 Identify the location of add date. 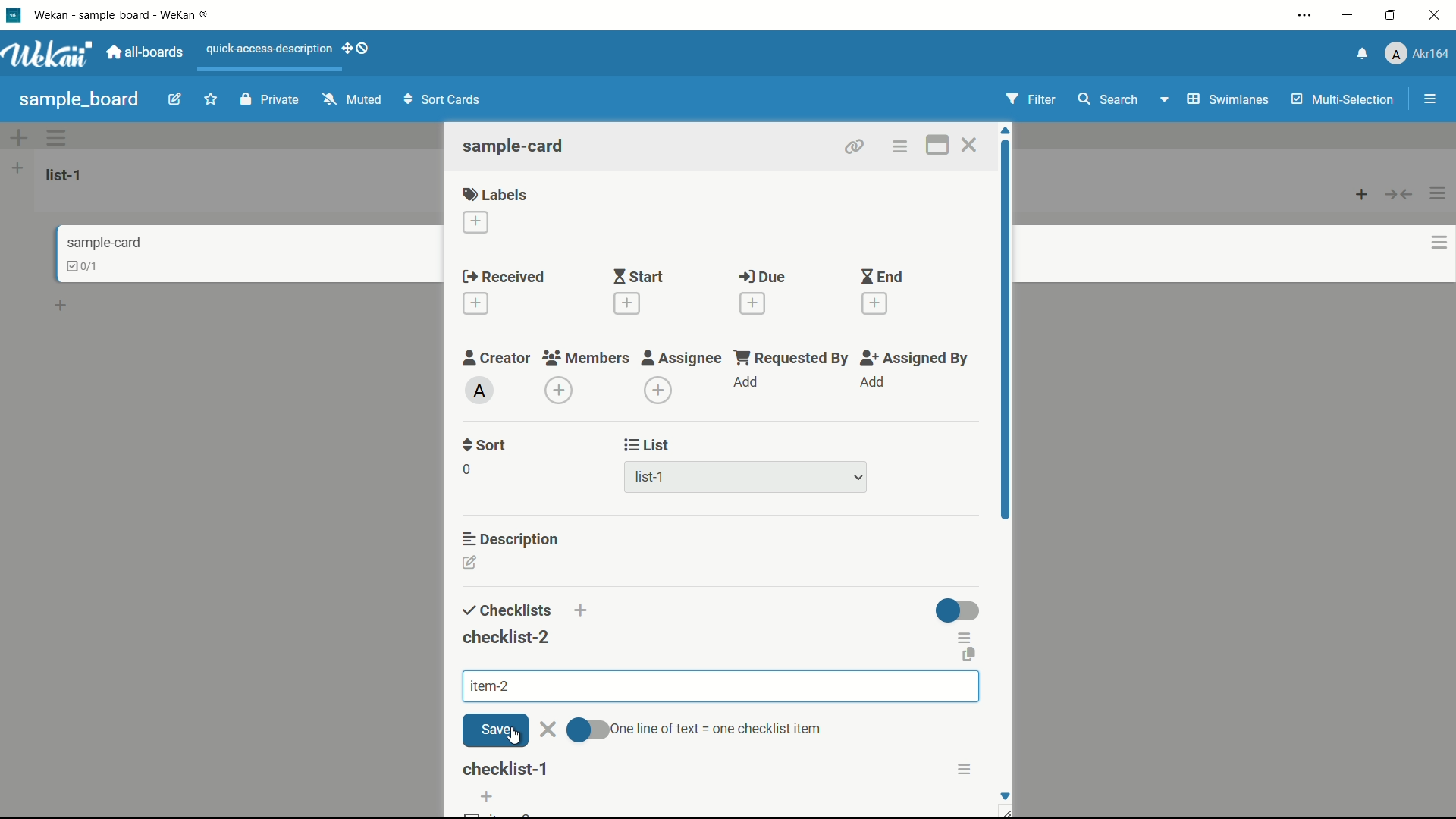
(752, 303).